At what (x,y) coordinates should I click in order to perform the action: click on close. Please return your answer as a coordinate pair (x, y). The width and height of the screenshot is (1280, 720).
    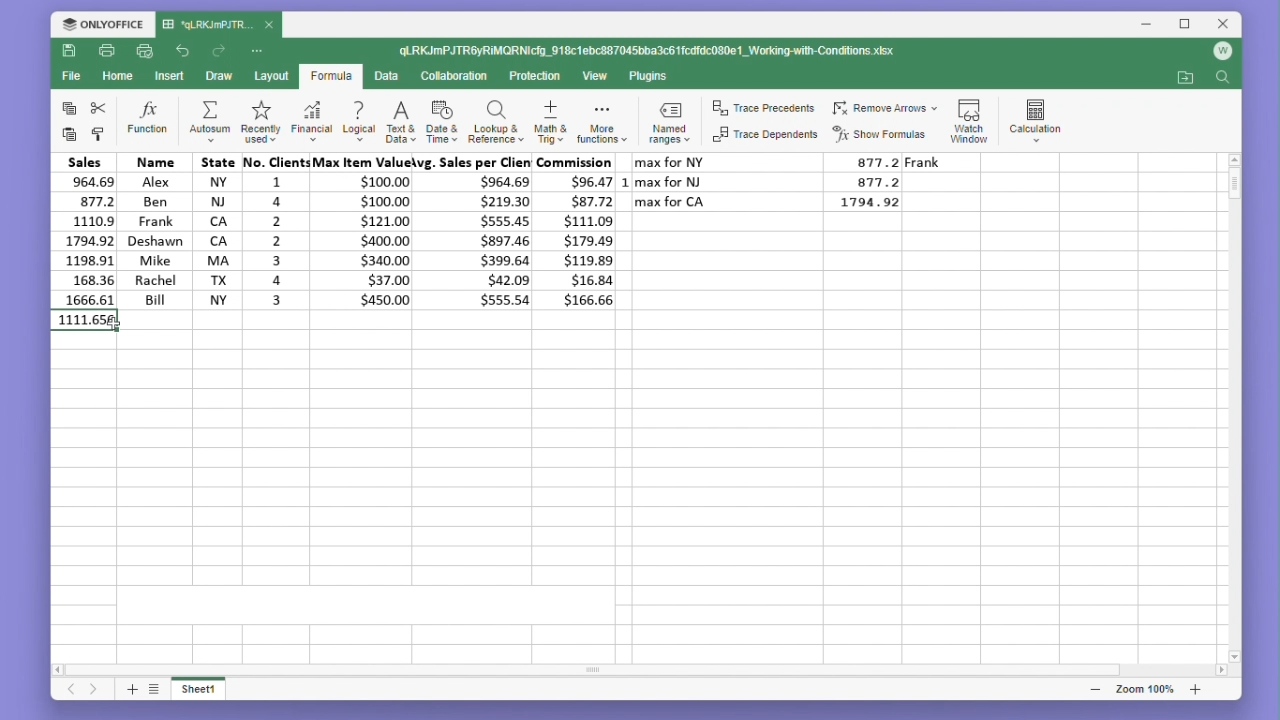
    Looking at the image, I should click on (270, 24).